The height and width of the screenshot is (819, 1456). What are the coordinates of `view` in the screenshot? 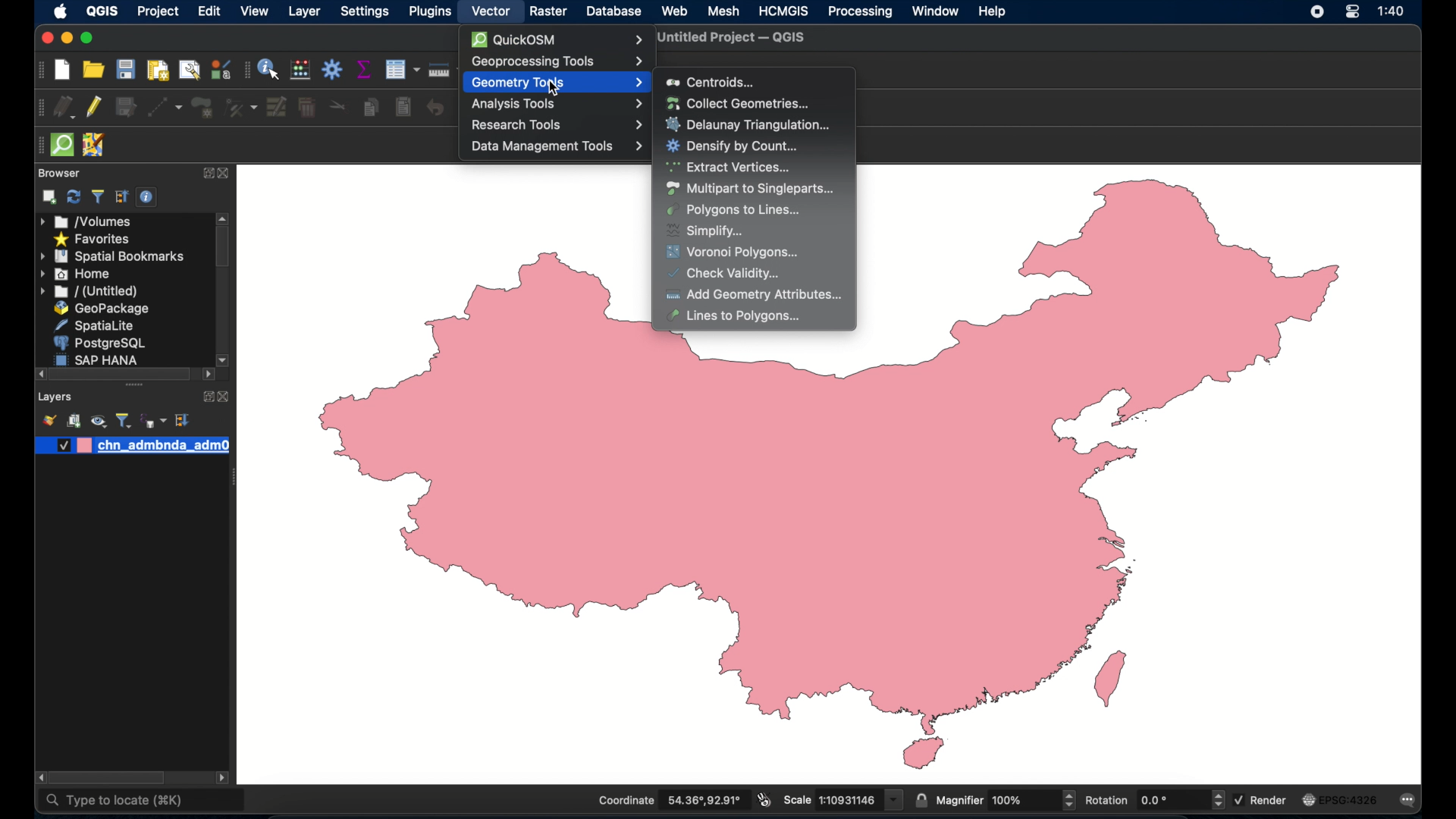 It's located at (255, 11).